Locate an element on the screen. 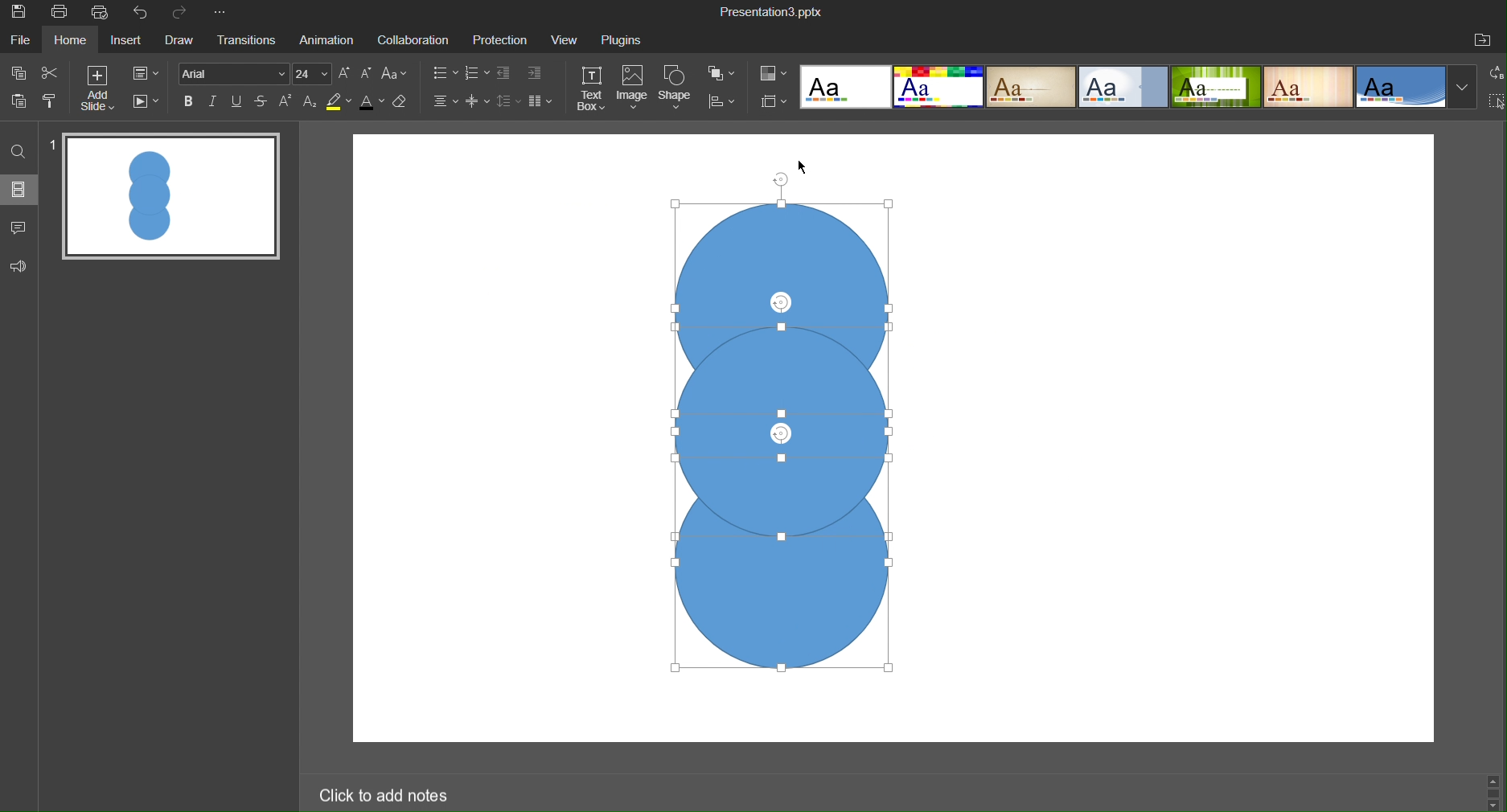 The height and width of the screenshot is (812, 1507). Strikethrough is located at coordinates (264, 101).